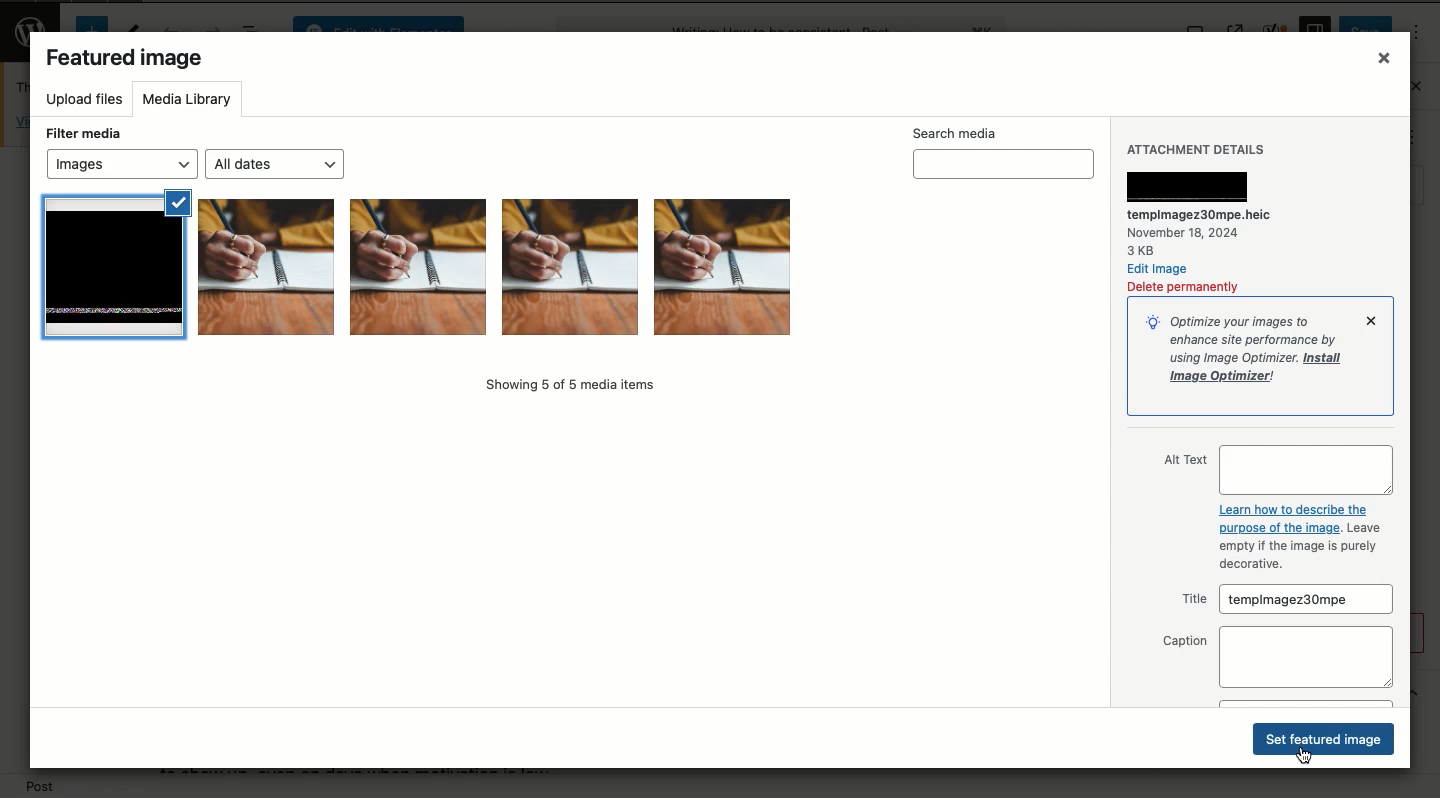 The width and height of the screenshot is (1440, 798). I want to click on Showing 5 of 5 media items, so click(568, 386).